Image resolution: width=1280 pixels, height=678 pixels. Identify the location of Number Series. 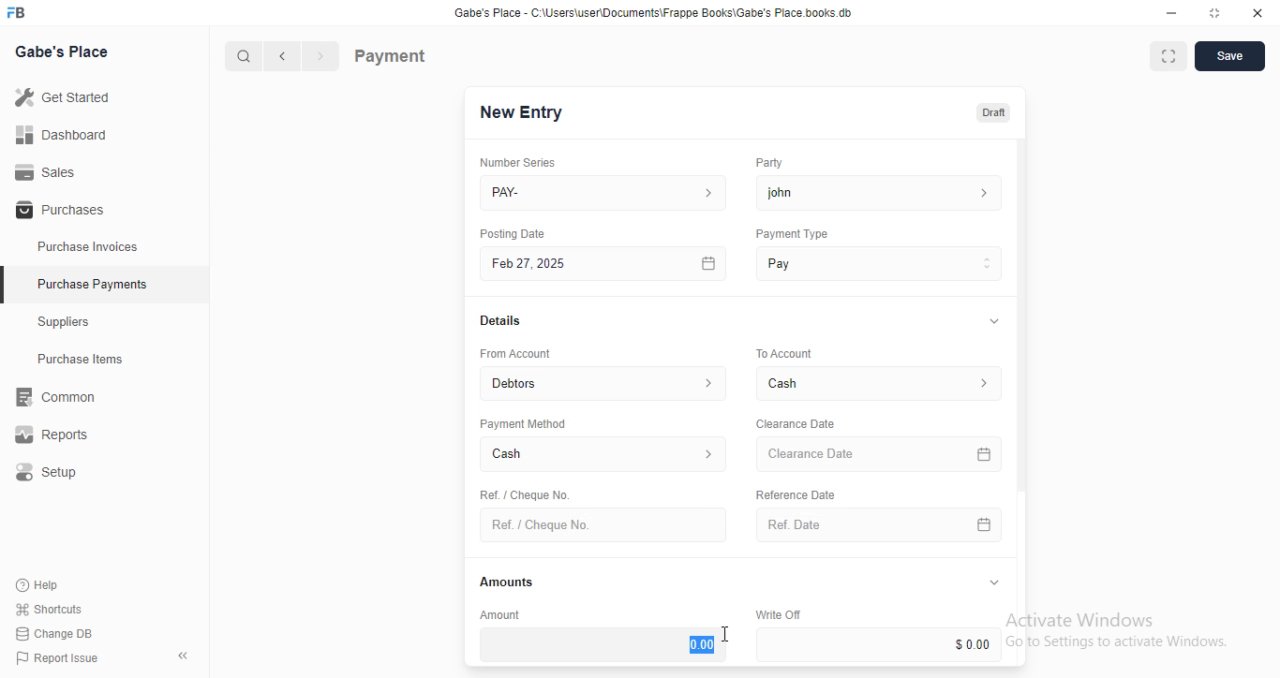
(510, 162).